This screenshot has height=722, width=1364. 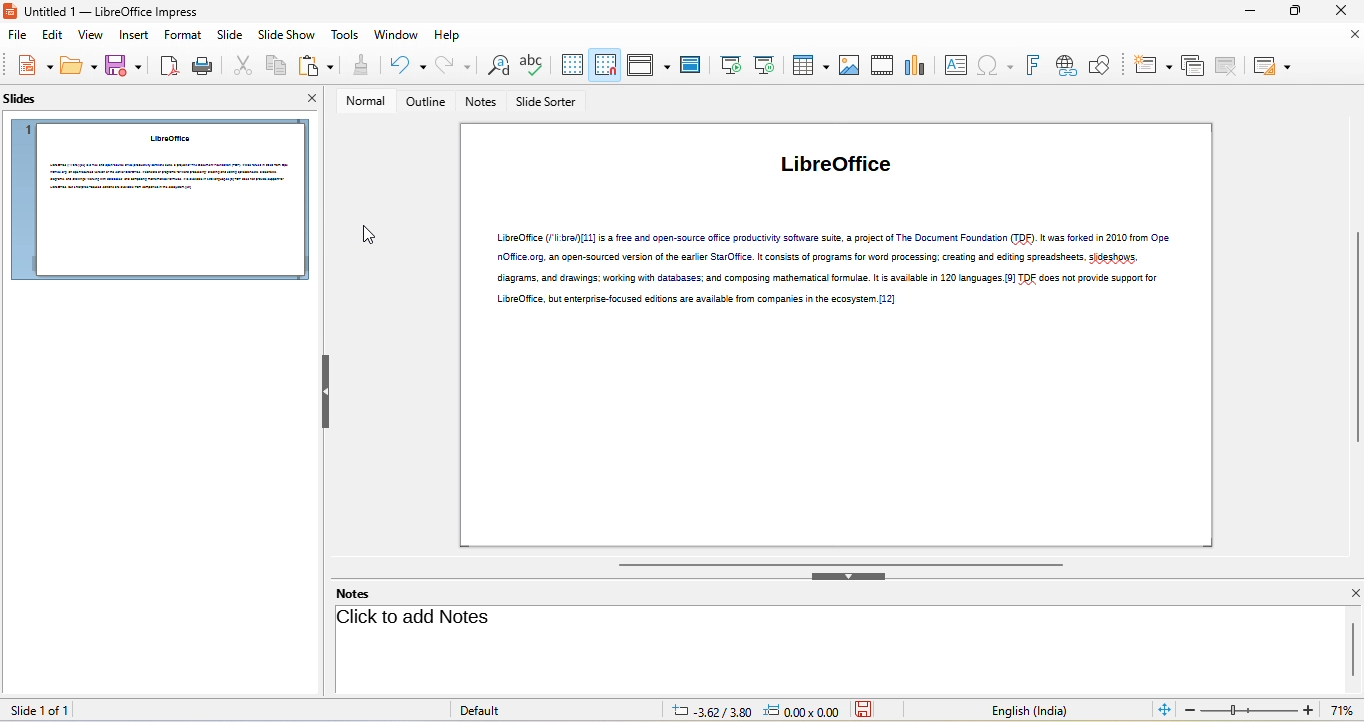 What do you see at coordinates (308, 100) in the screenshot?
I see `close` at bounding box center [308, 100].